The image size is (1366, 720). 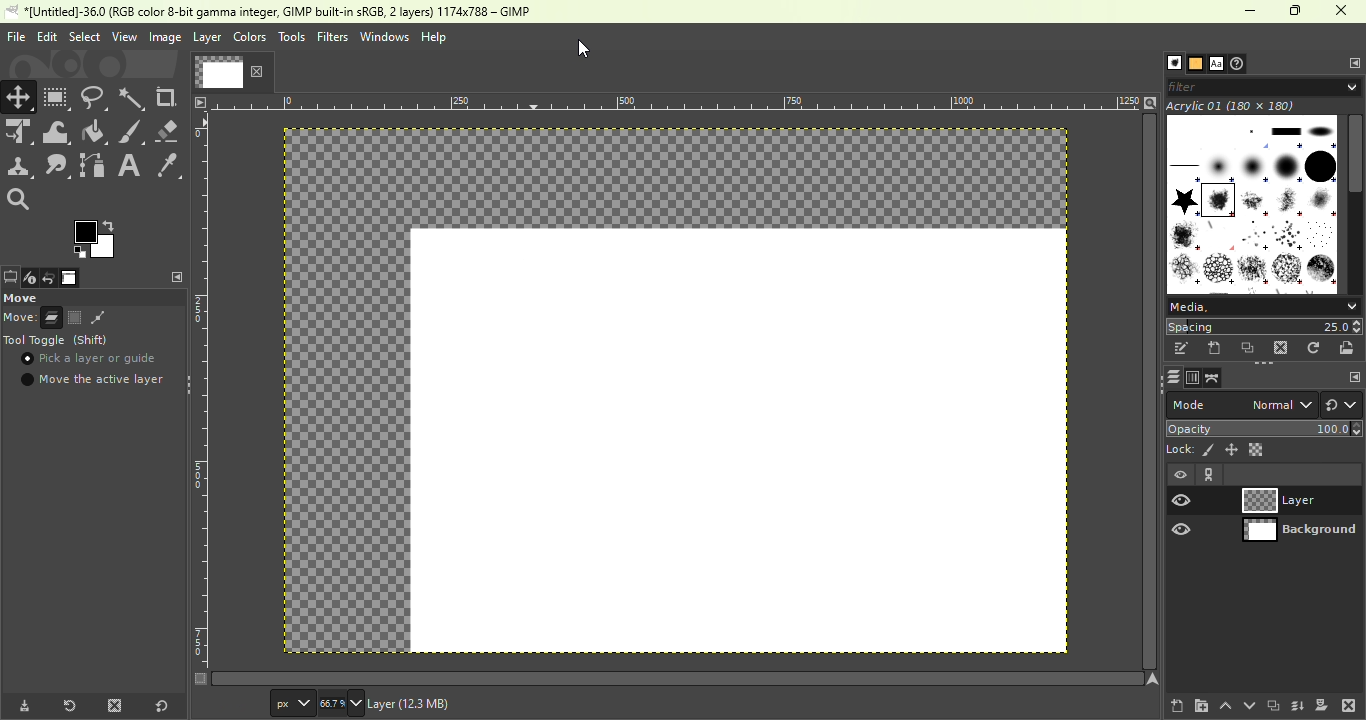 I want to click on Fuzzy select tool, so click(x=134, y=97).